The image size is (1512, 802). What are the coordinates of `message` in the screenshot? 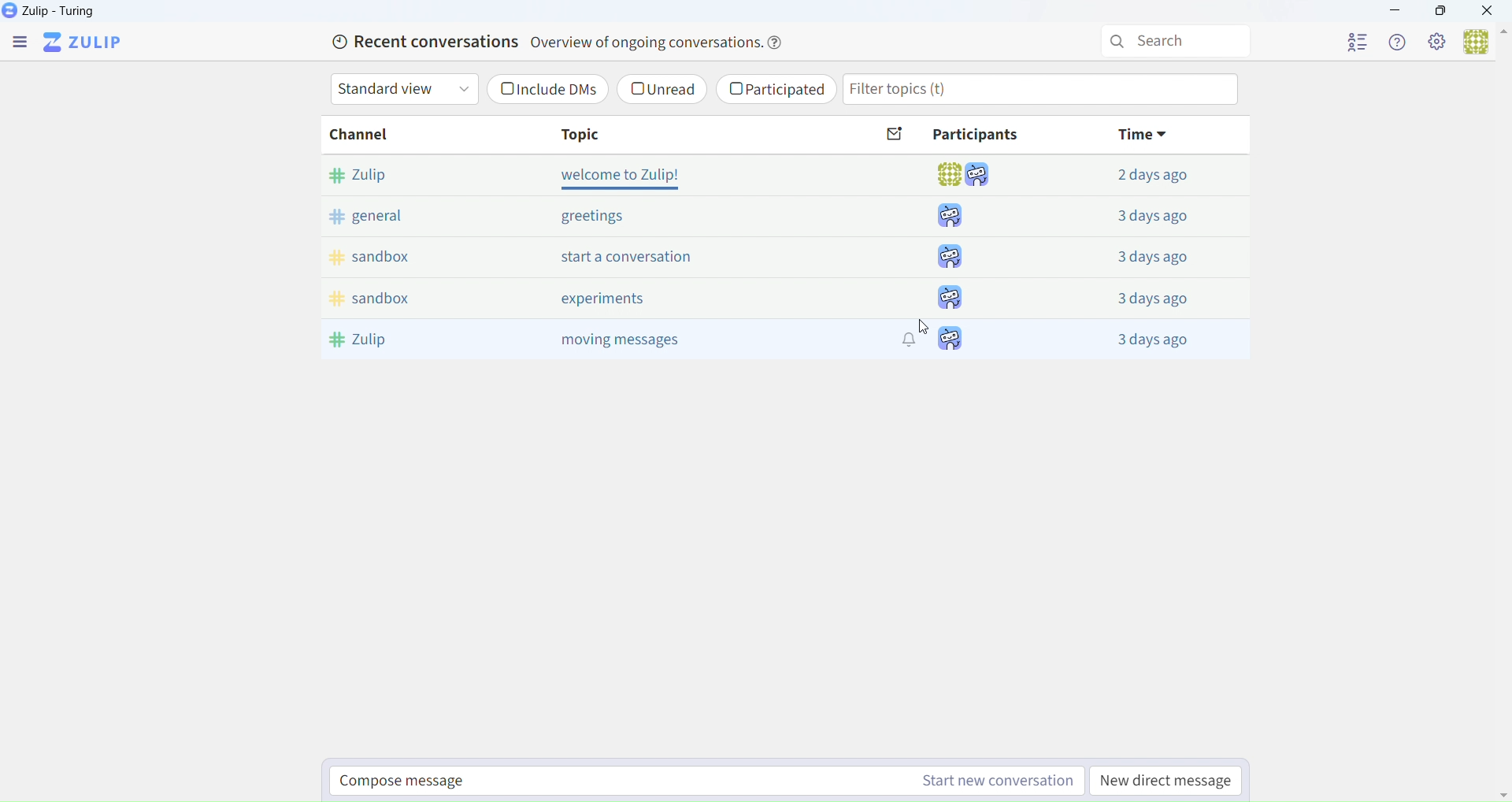 It's located at (896, 135).